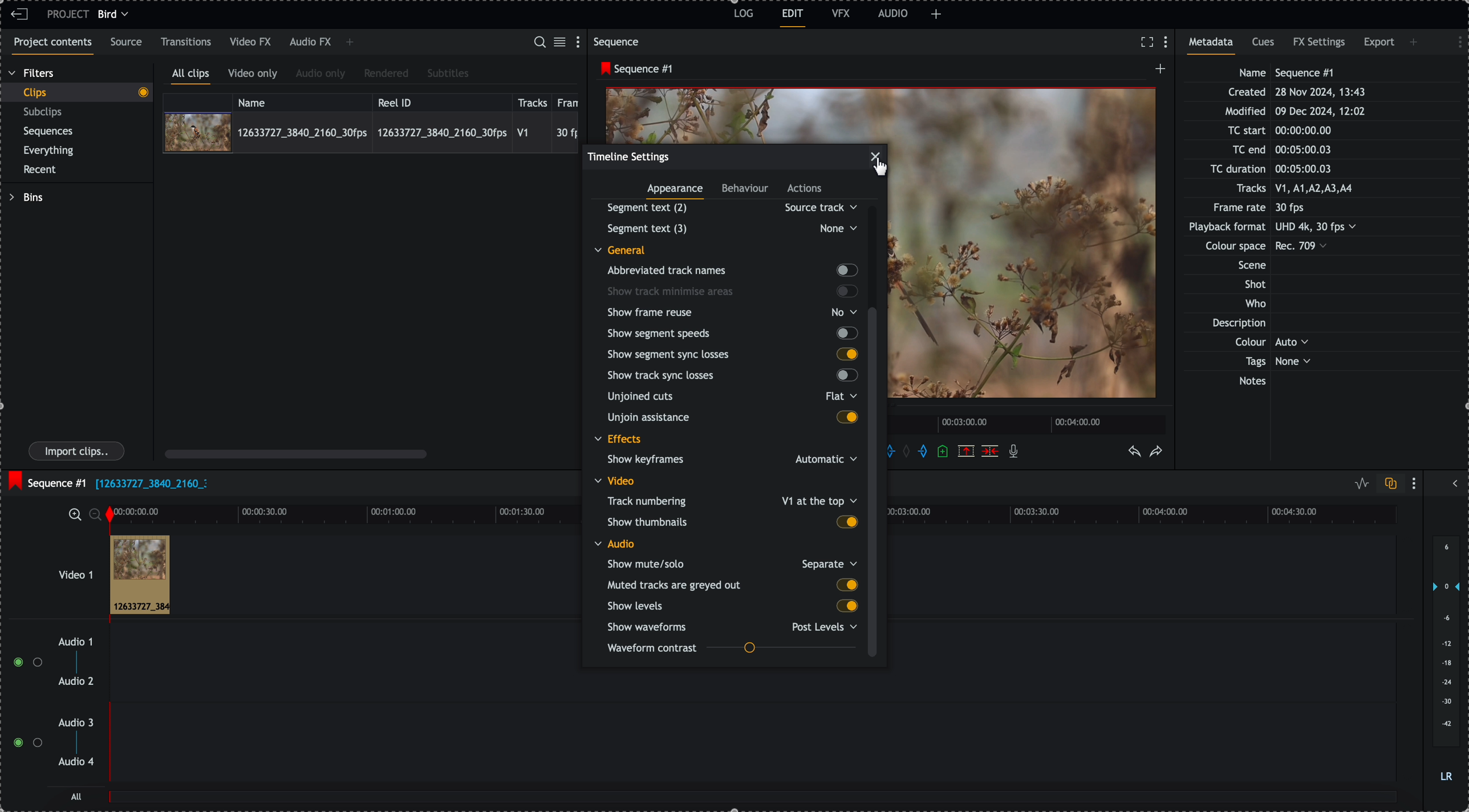  What do you see at coordinates (1264, 46) in the screenshot?
I see `cues` at bounding box center [1264, 46].